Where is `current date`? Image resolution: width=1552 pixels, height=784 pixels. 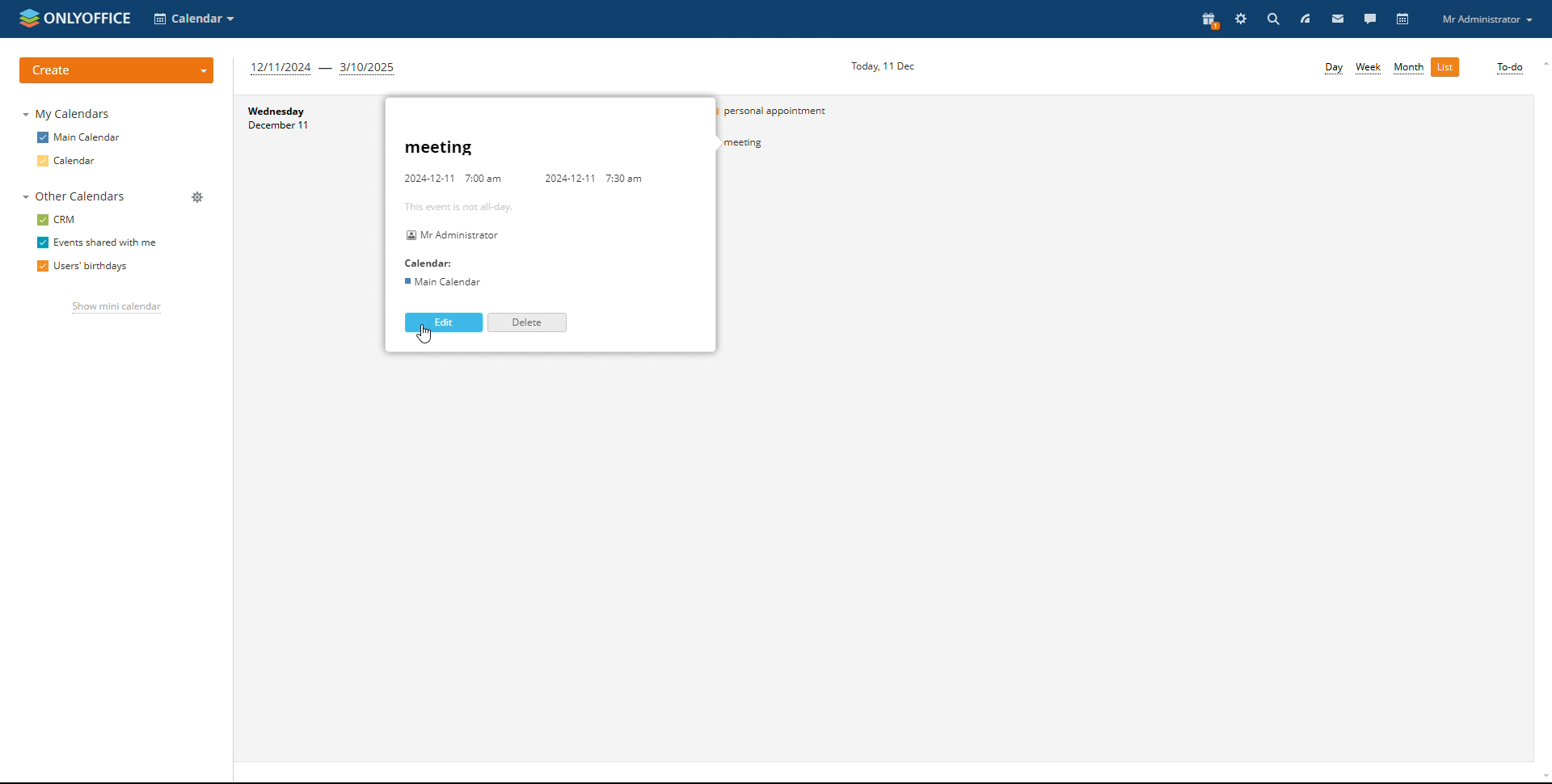 current date is located at coordinates (879, 64).